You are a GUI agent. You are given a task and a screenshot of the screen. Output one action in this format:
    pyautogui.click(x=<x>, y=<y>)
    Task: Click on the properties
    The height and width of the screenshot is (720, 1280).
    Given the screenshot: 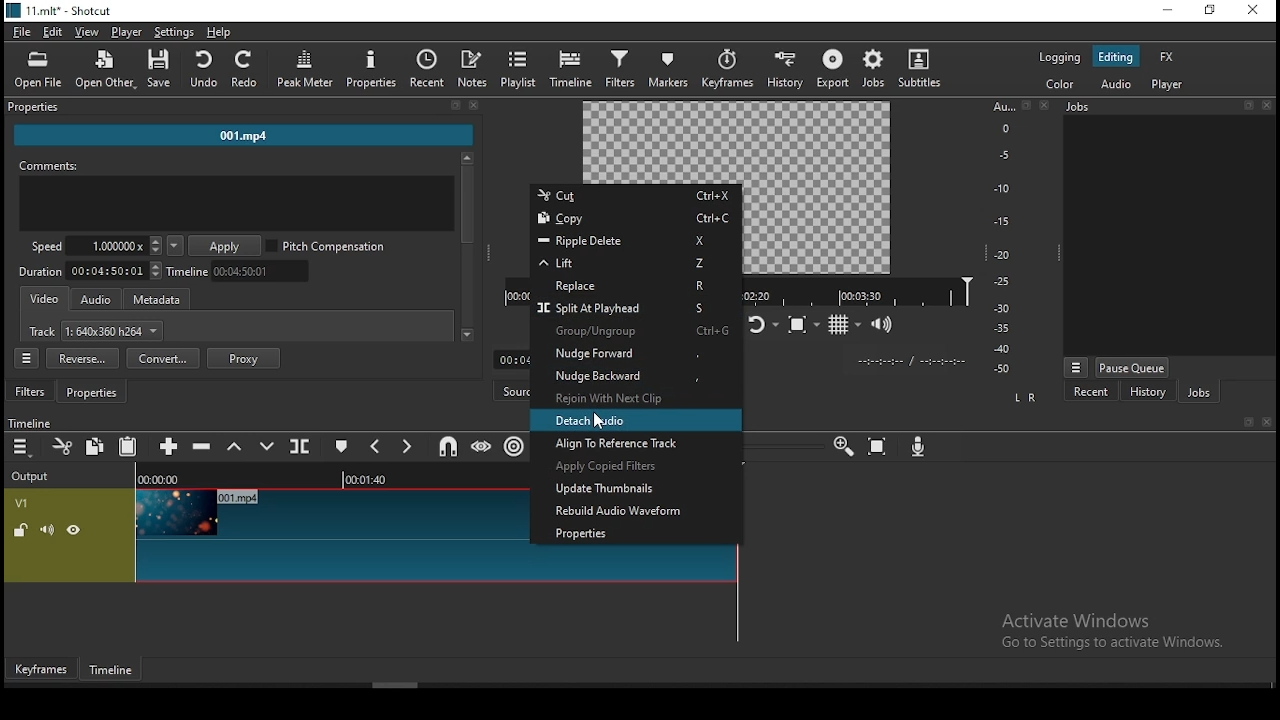 What is the action you would take?
    pyautogui.click(x=640, y=532)
    